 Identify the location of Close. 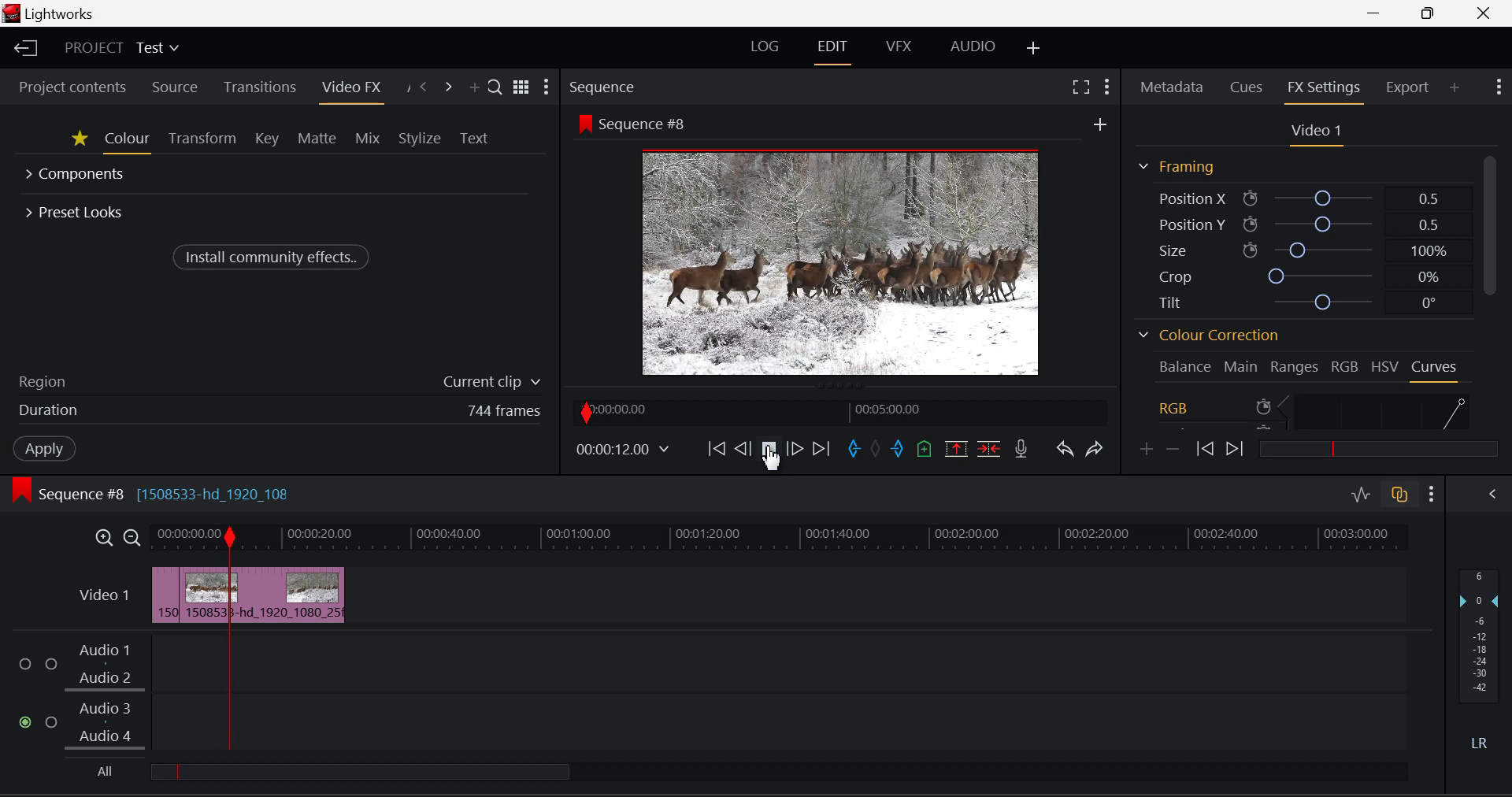
(1484, 13).